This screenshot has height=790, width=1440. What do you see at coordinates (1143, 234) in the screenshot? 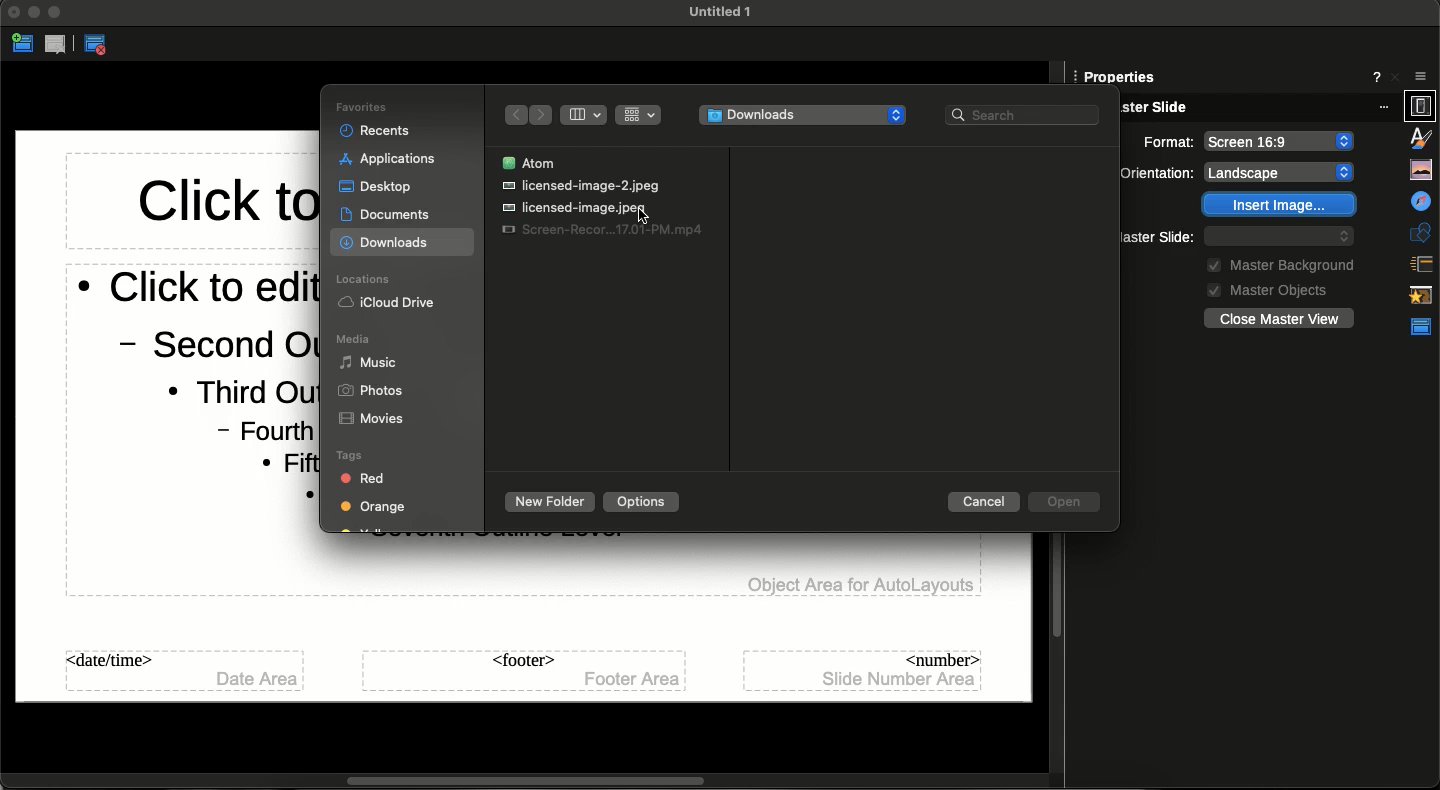
I see `Master slide` at bounding box center [1143, 234].